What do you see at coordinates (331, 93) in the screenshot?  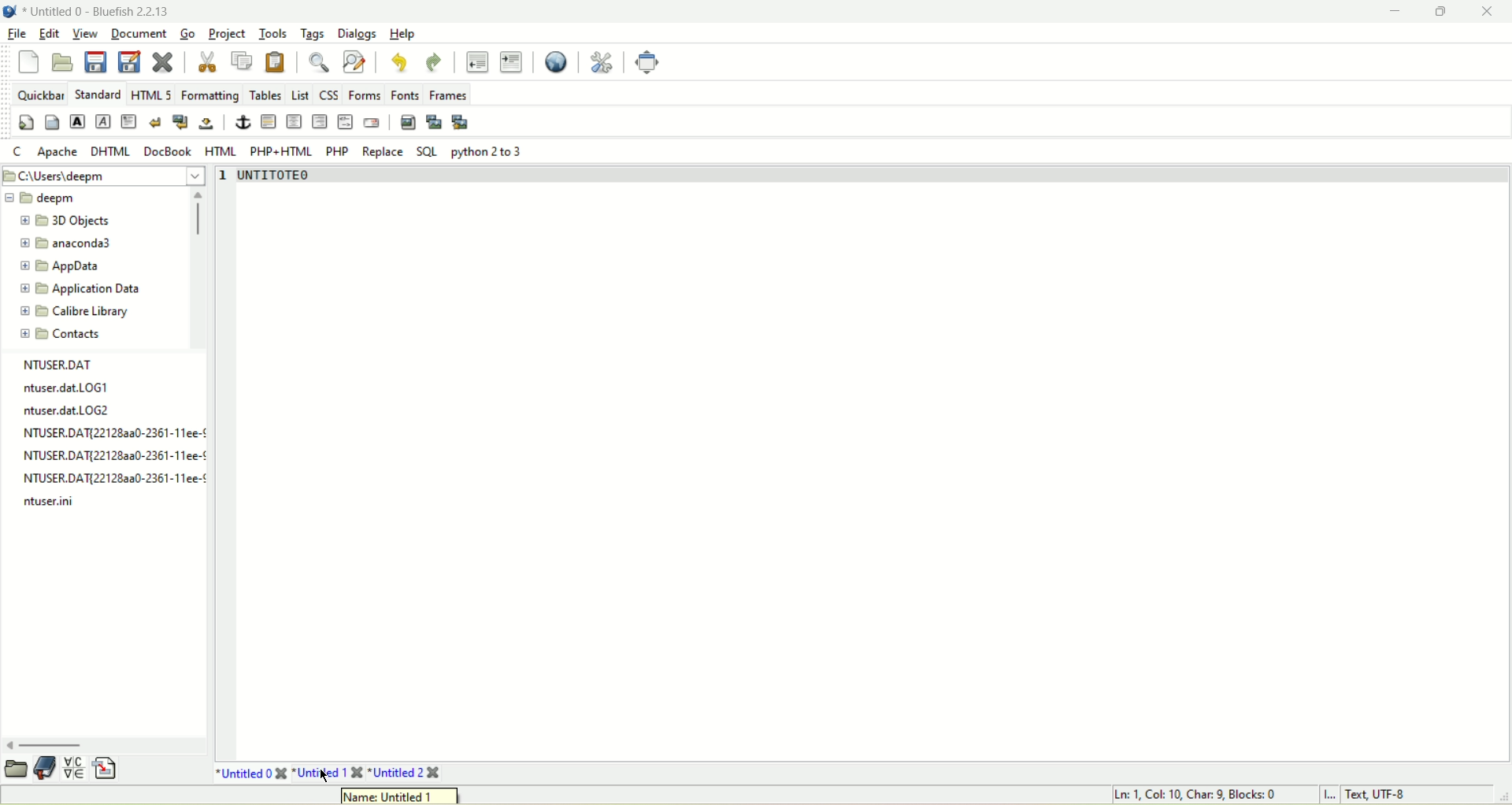 I see `CSS` at bounding box center [331, 93].